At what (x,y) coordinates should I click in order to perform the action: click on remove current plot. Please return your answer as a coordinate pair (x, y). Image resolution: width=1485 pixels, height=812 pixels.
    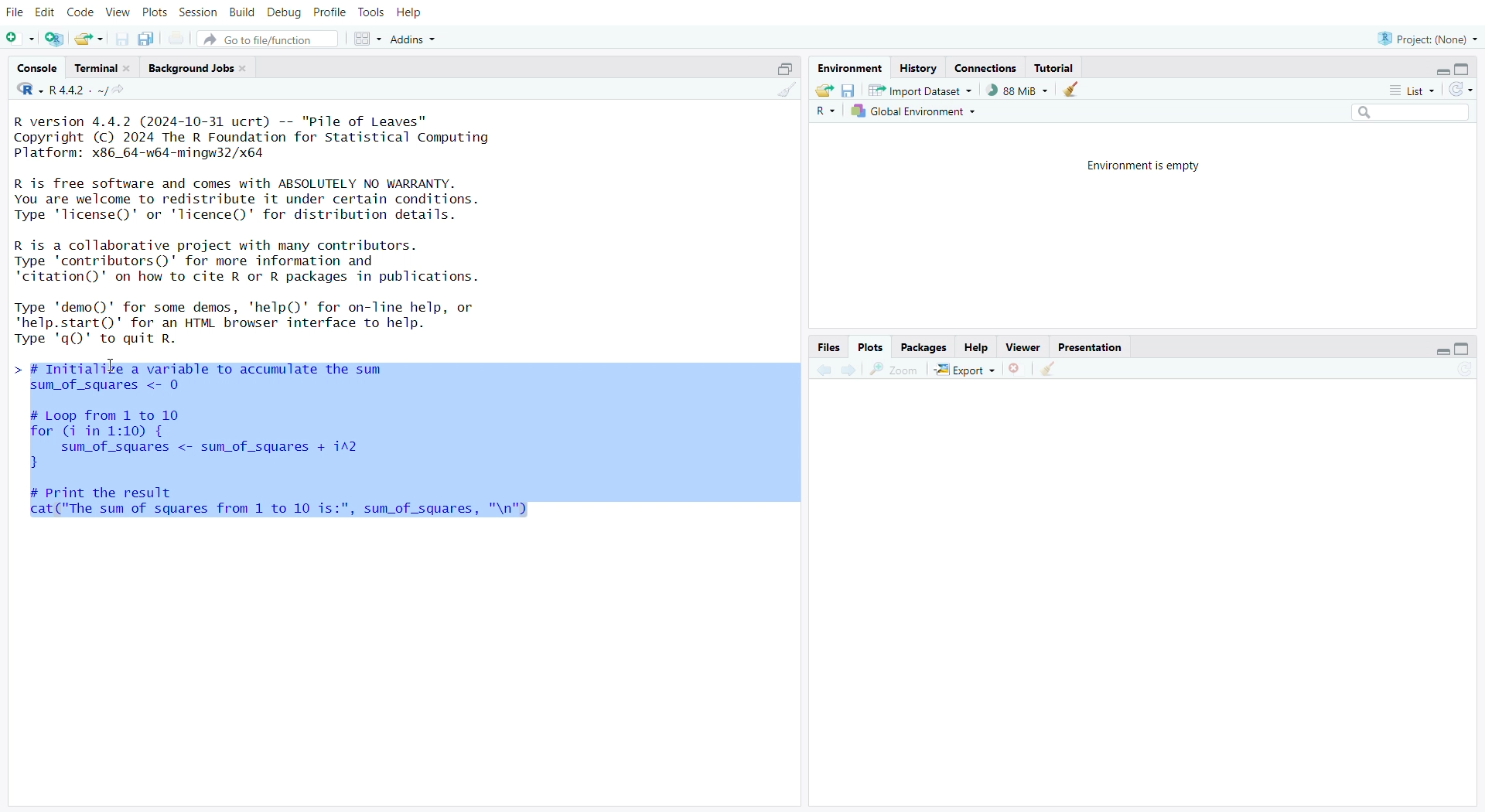
    Looking at the image, I should click on (1018, 369).